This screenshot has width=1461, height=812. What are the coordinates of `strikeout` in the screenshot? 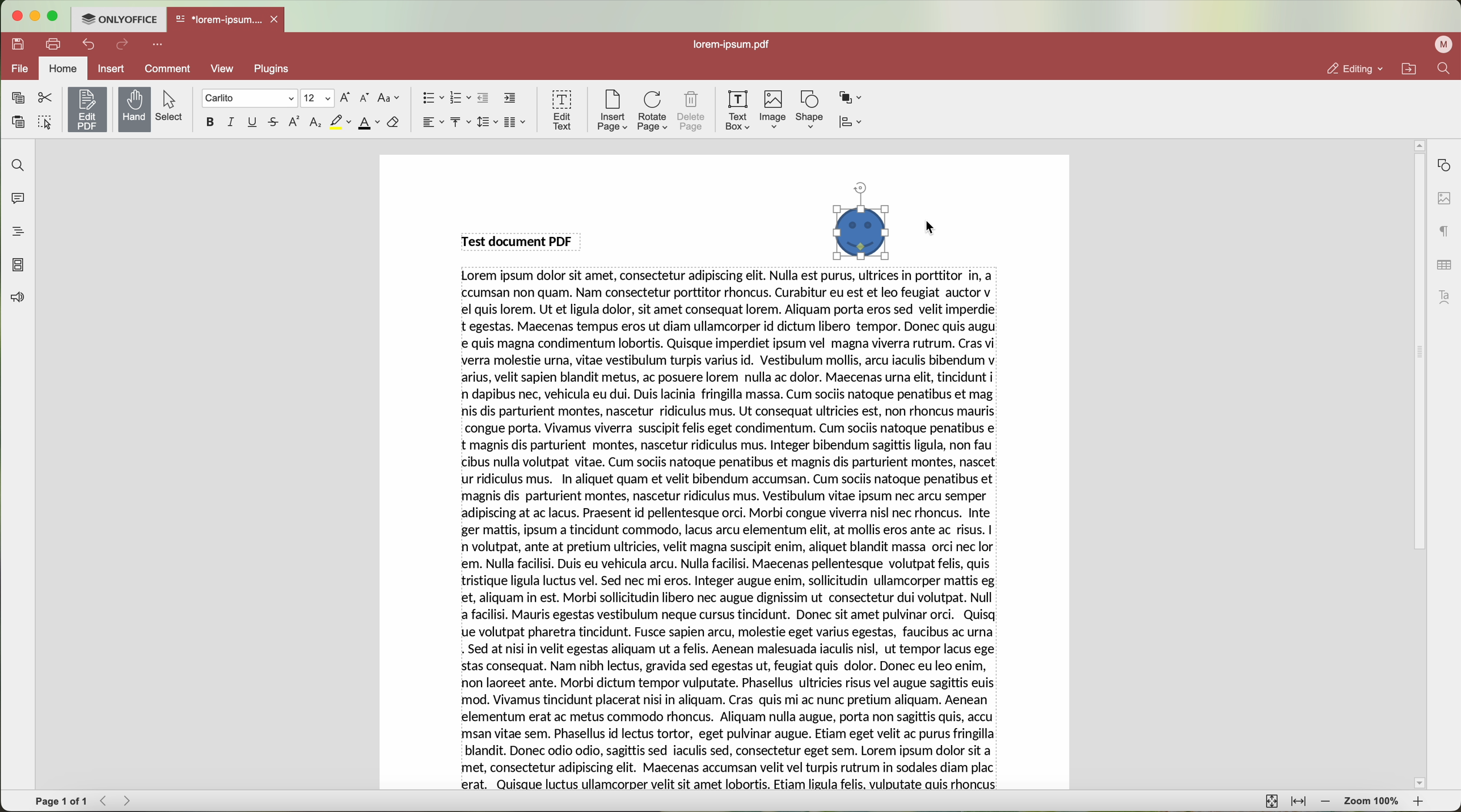 It's located at (340, 122).